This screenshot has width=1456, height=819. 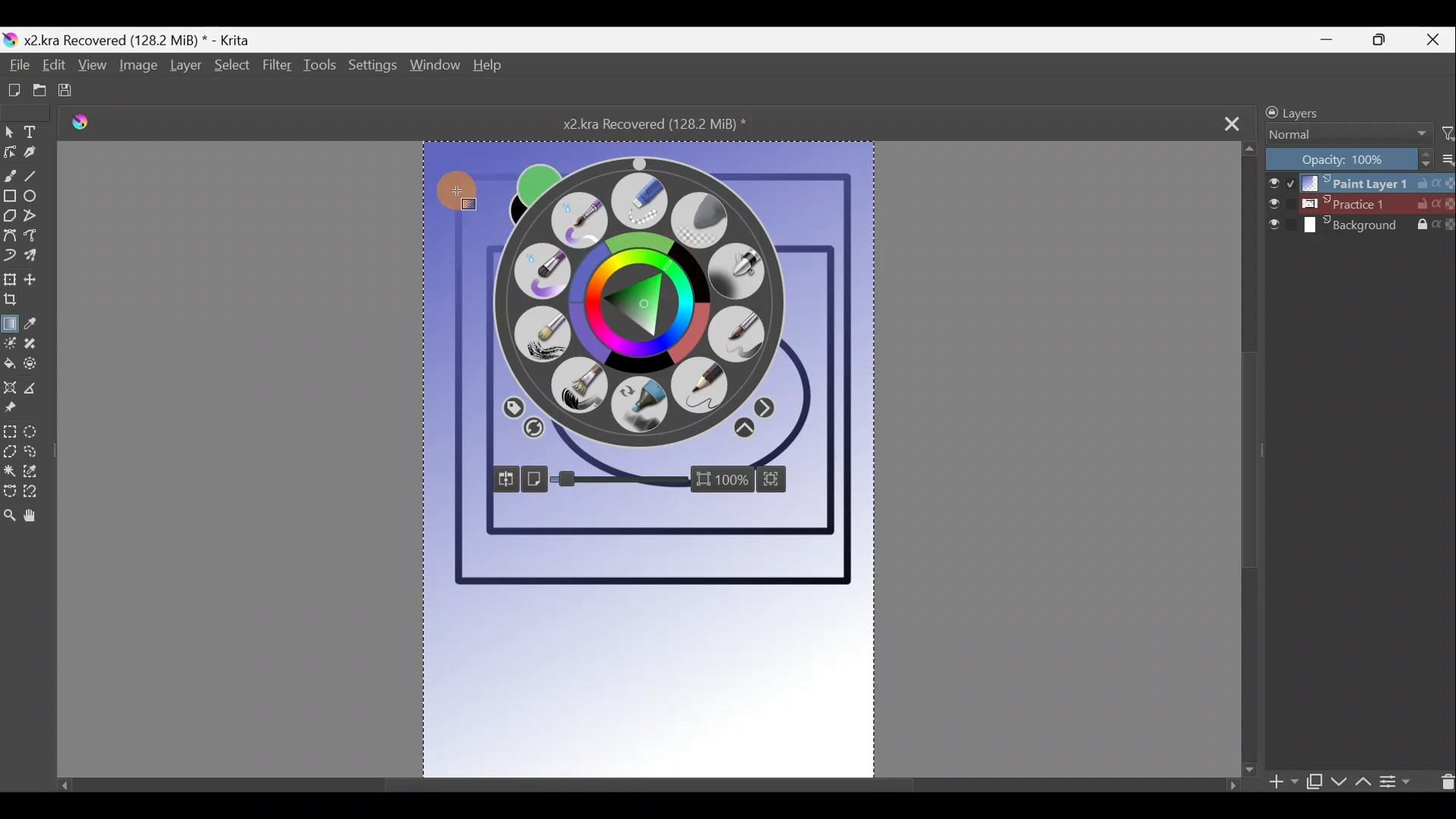 What do you see at coordinates (52, 68) in the screenshot?
I see `Edit` at bounding box center [52, 68].